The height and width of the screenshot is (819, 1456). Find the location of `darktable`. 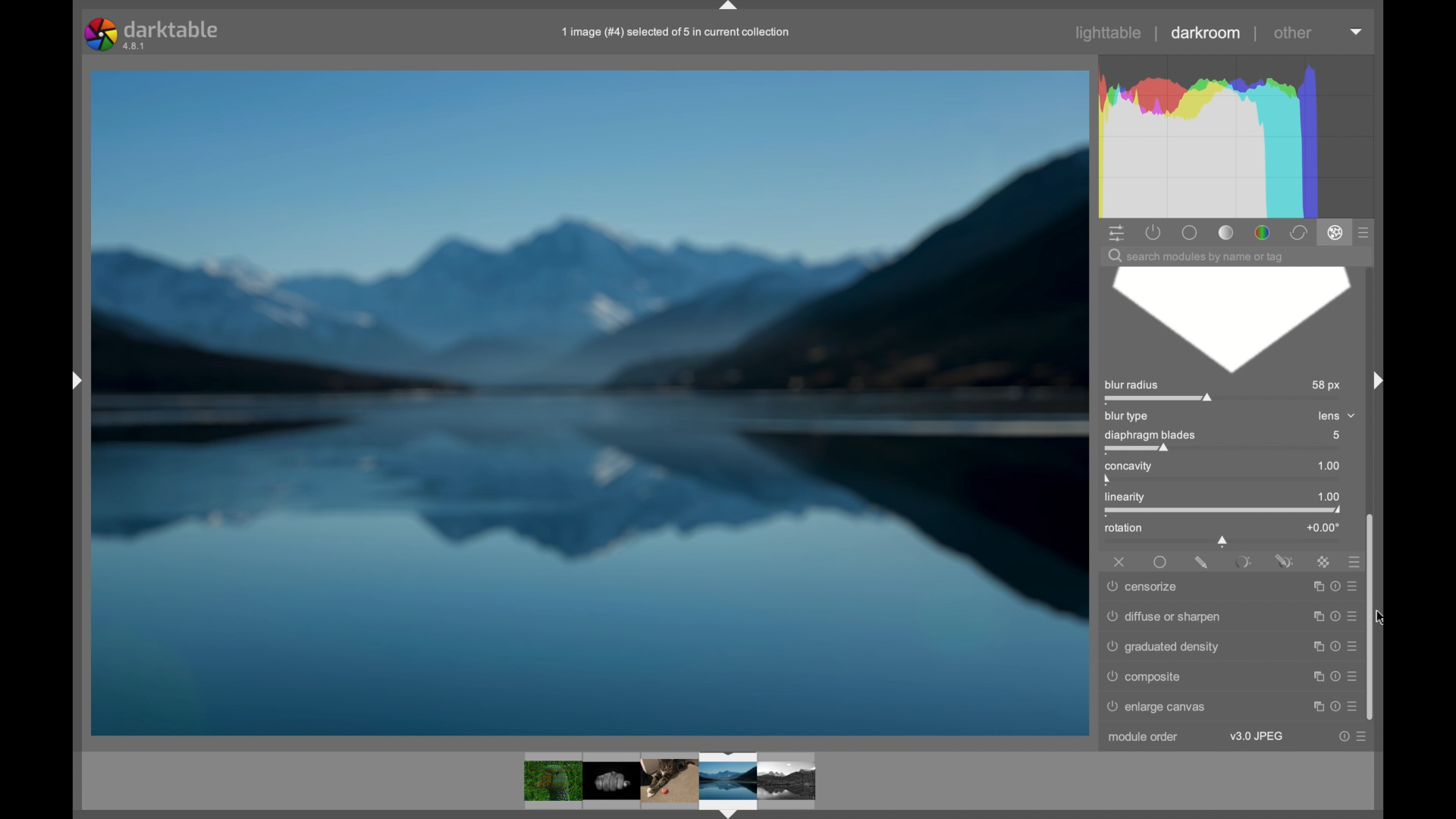

darktable is located at coordinates (151, 33).